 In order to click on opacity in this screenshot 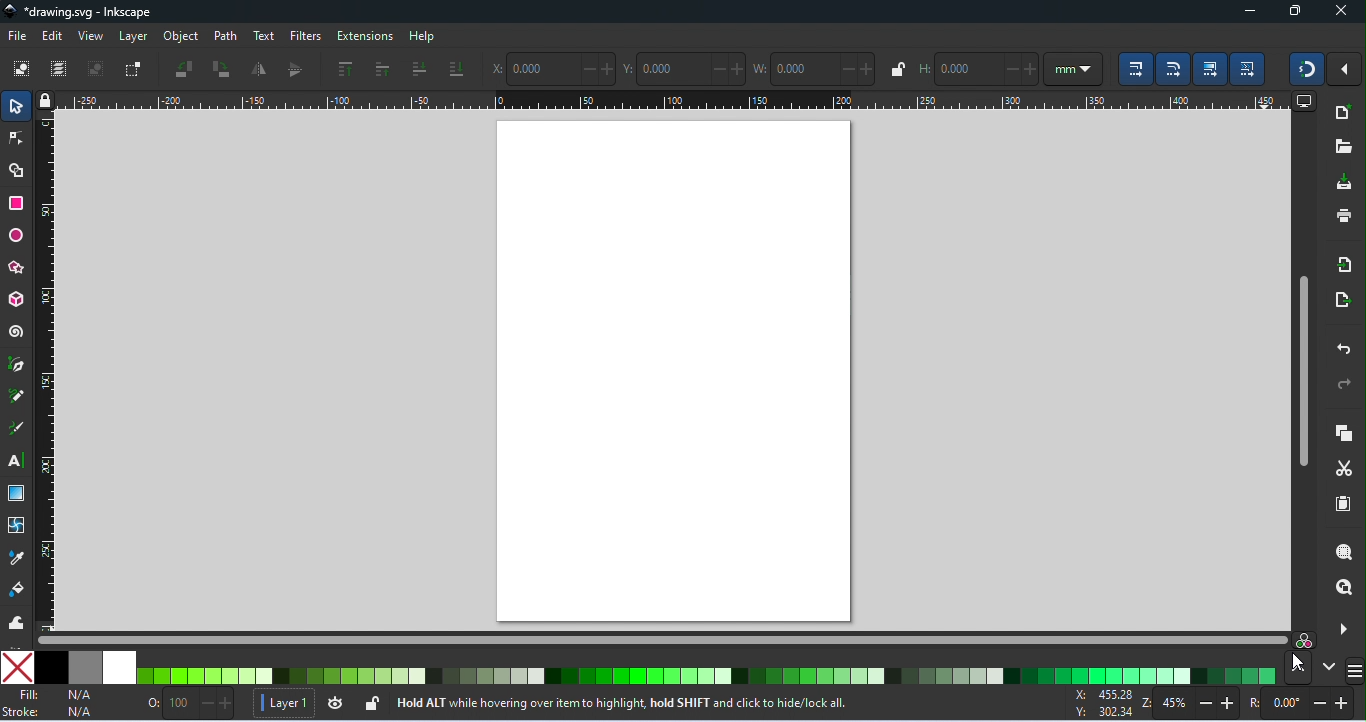, I will do `click(191, 703)`.